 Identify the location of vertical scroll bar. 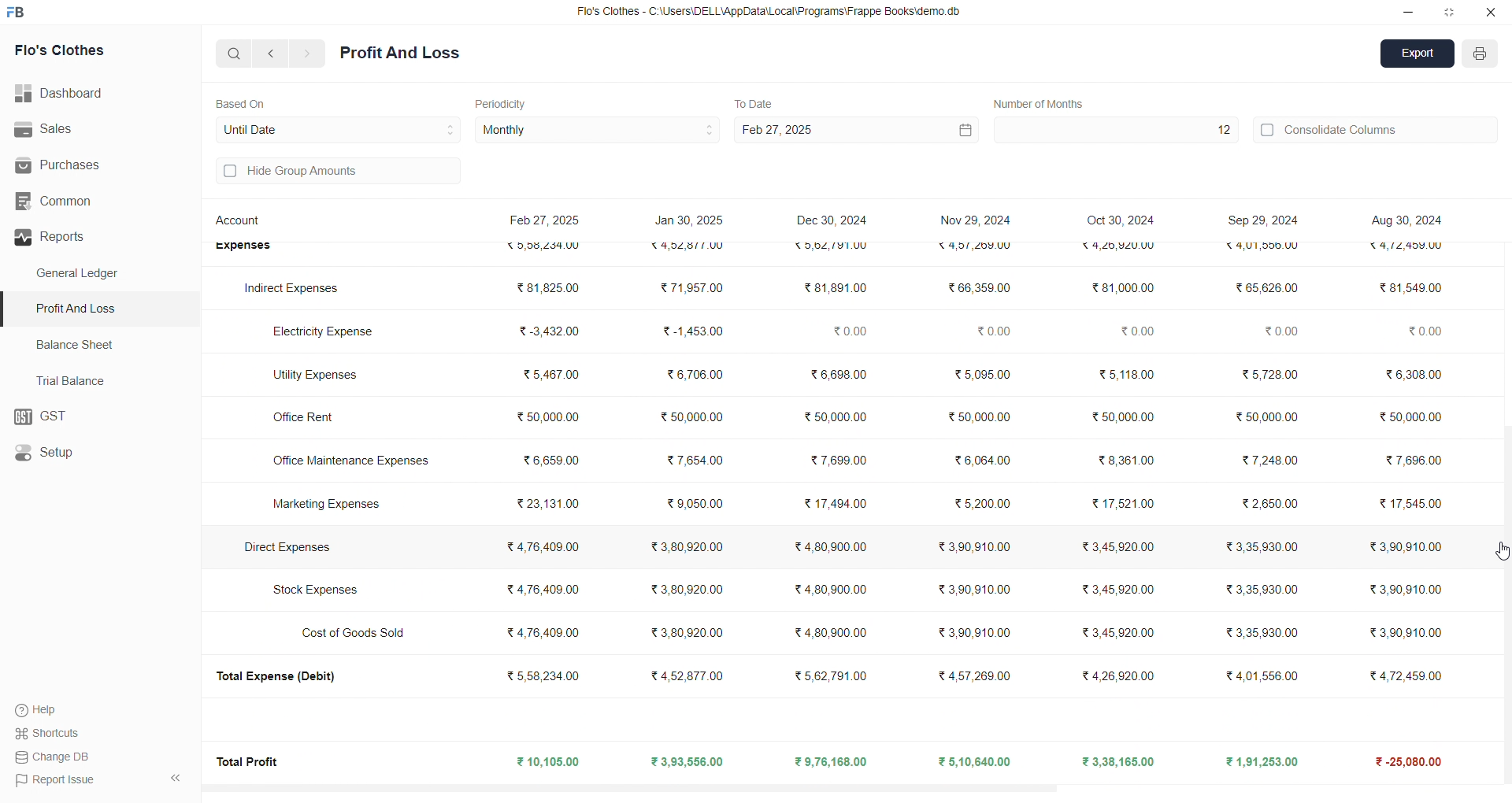
(1503, 499).